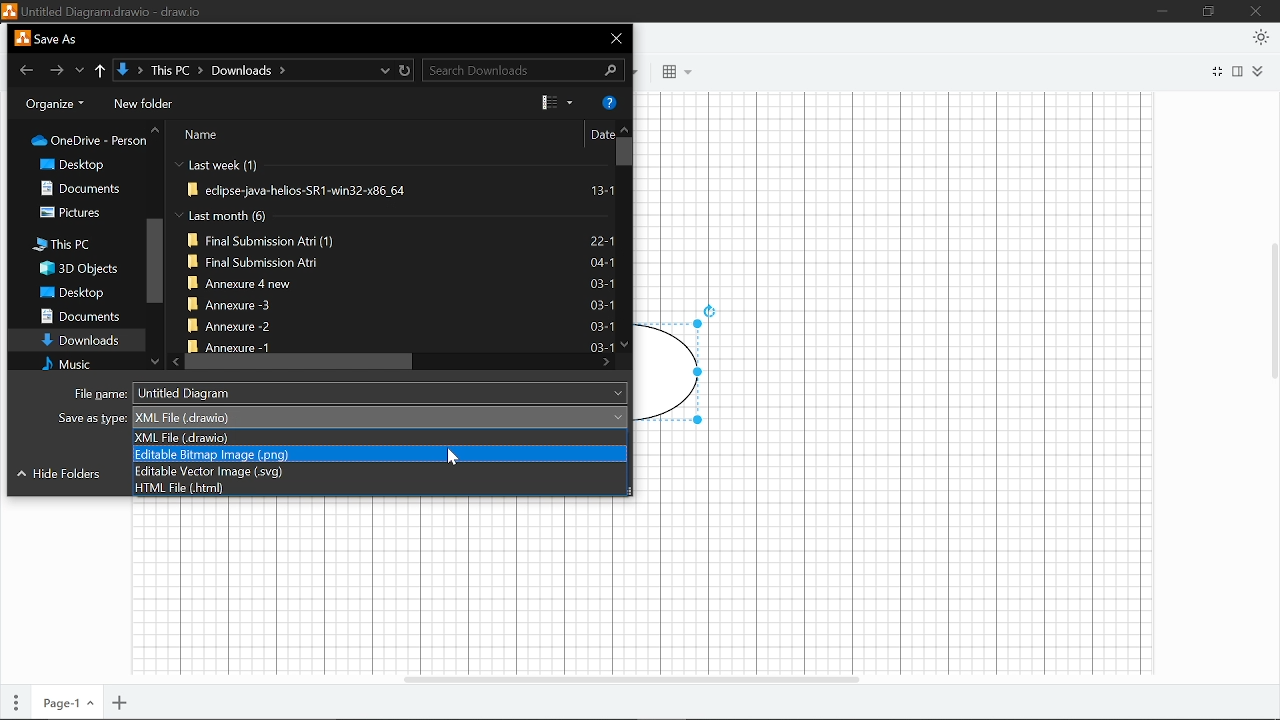 Image resolution: width=1280 pixels, height=720 pixels. I want to click on move right, so click(606, 362).